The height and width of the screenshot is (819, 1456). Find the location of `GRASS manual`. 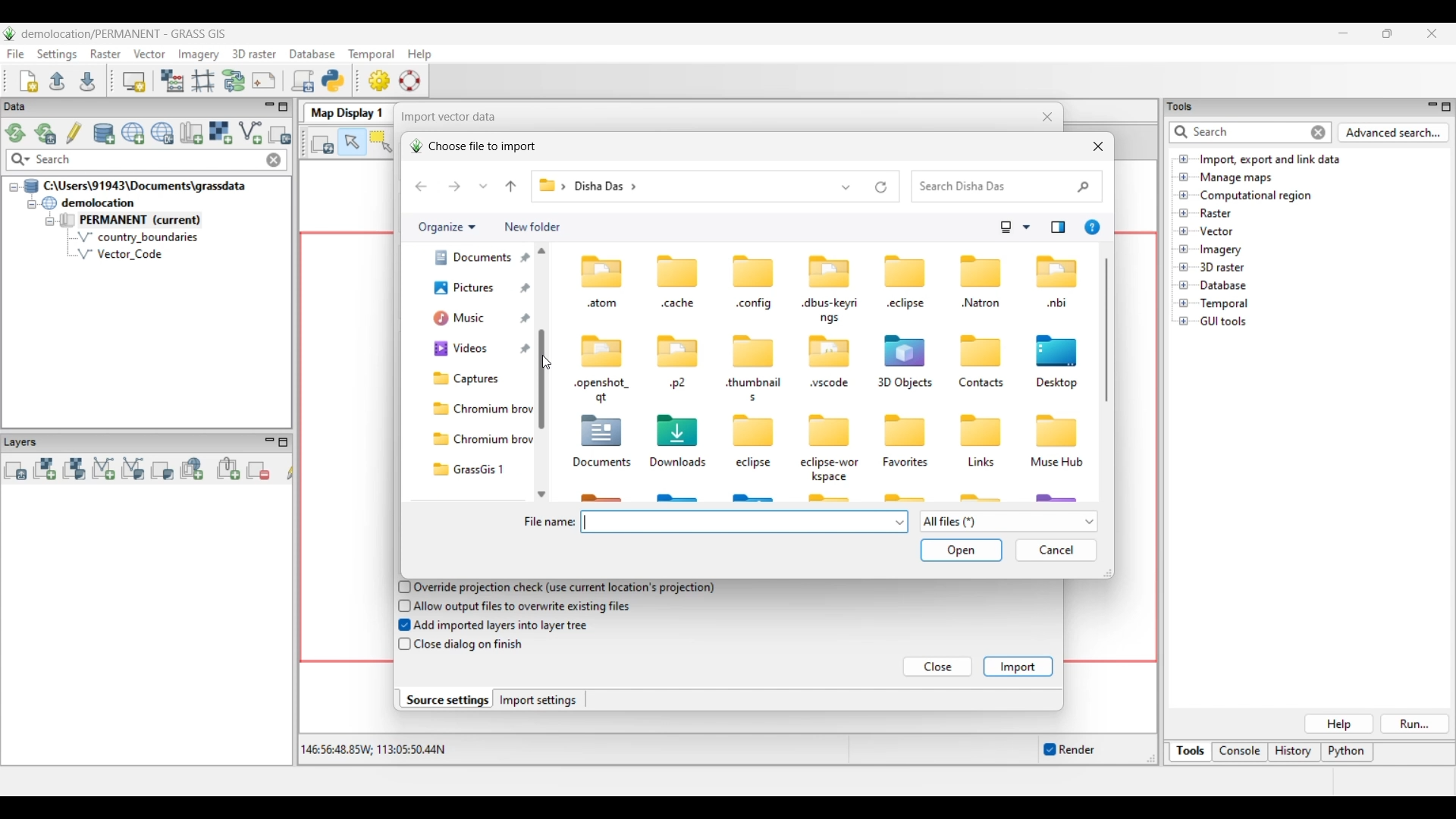

GRASS manual is located at coordinates (409, 80).